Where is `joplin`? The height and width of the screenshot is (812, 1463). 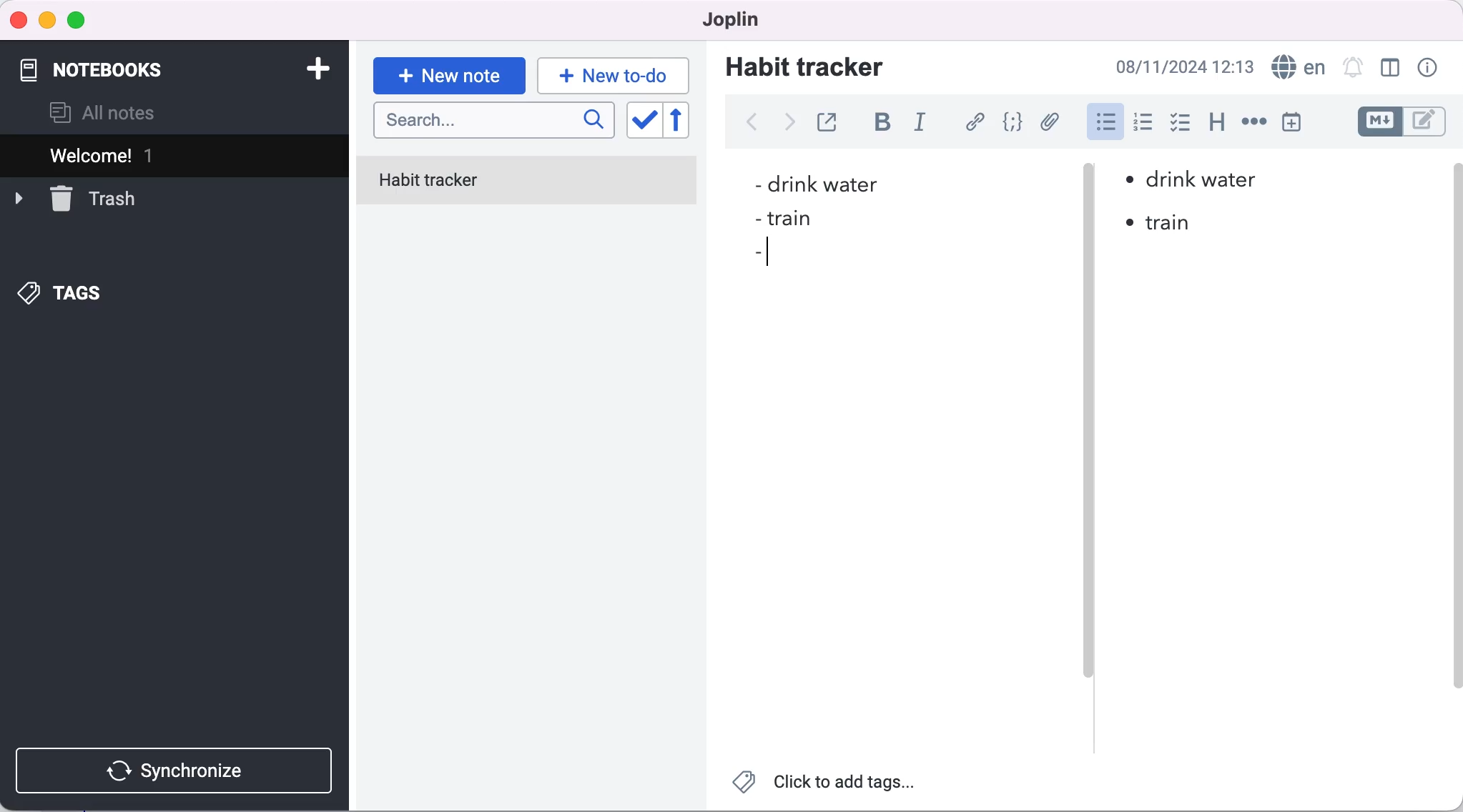 joplin is located at coordinates (725, 19).